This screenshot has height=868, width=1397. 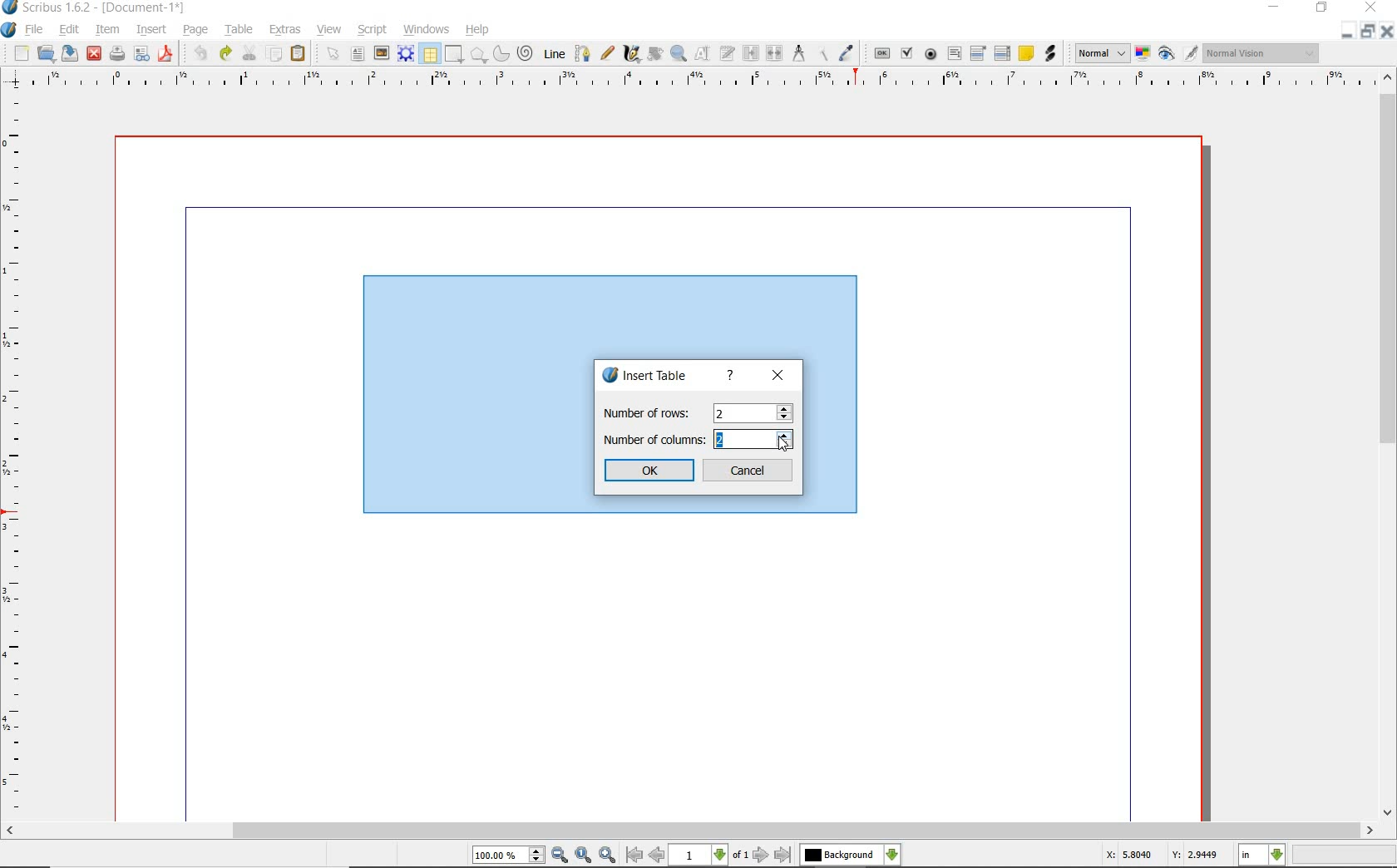 I want to click on cursor, so click(x=783, y=443).